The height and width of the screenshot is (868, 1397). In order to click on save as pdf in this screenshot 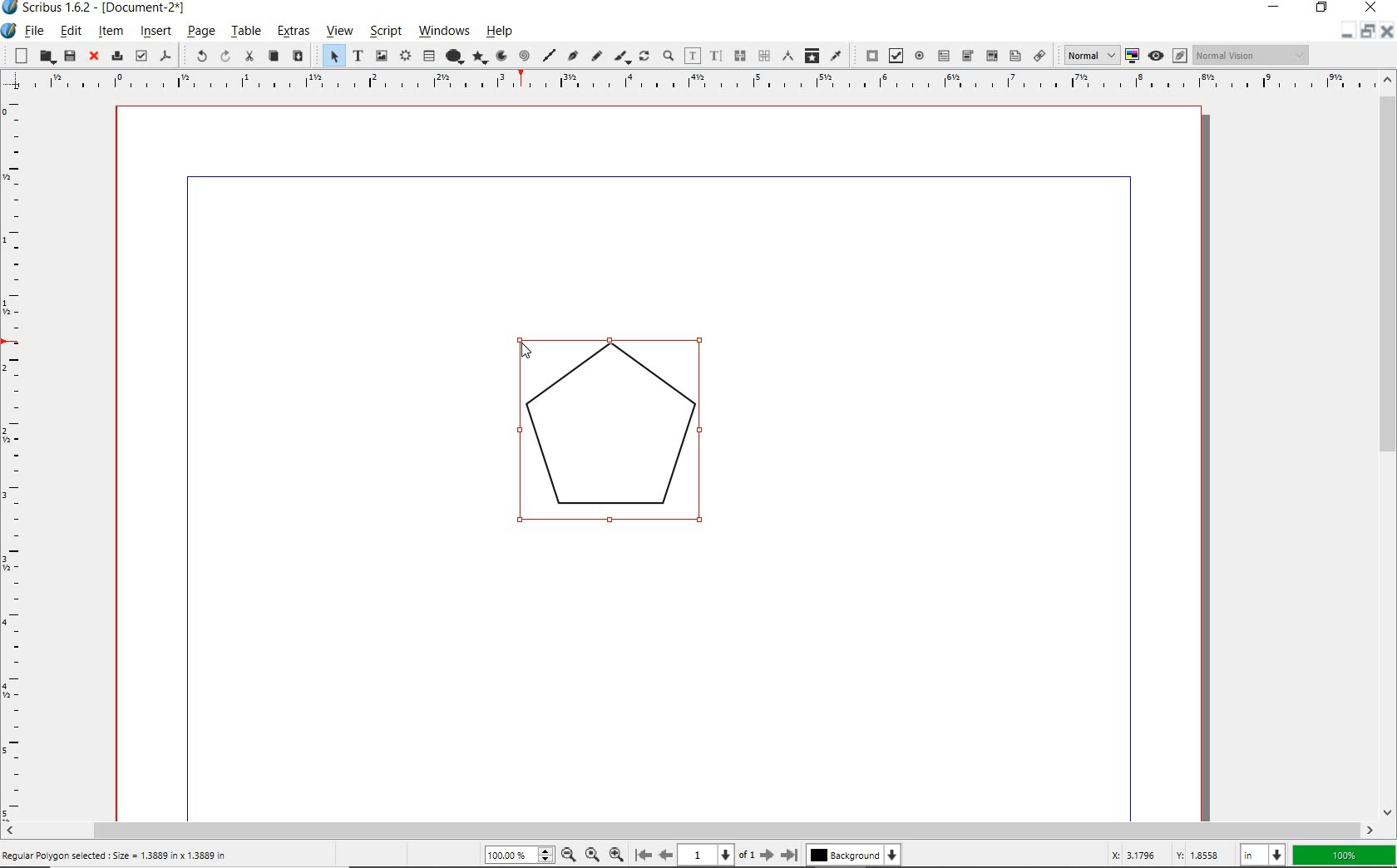, I will do `click(166, 55)`.